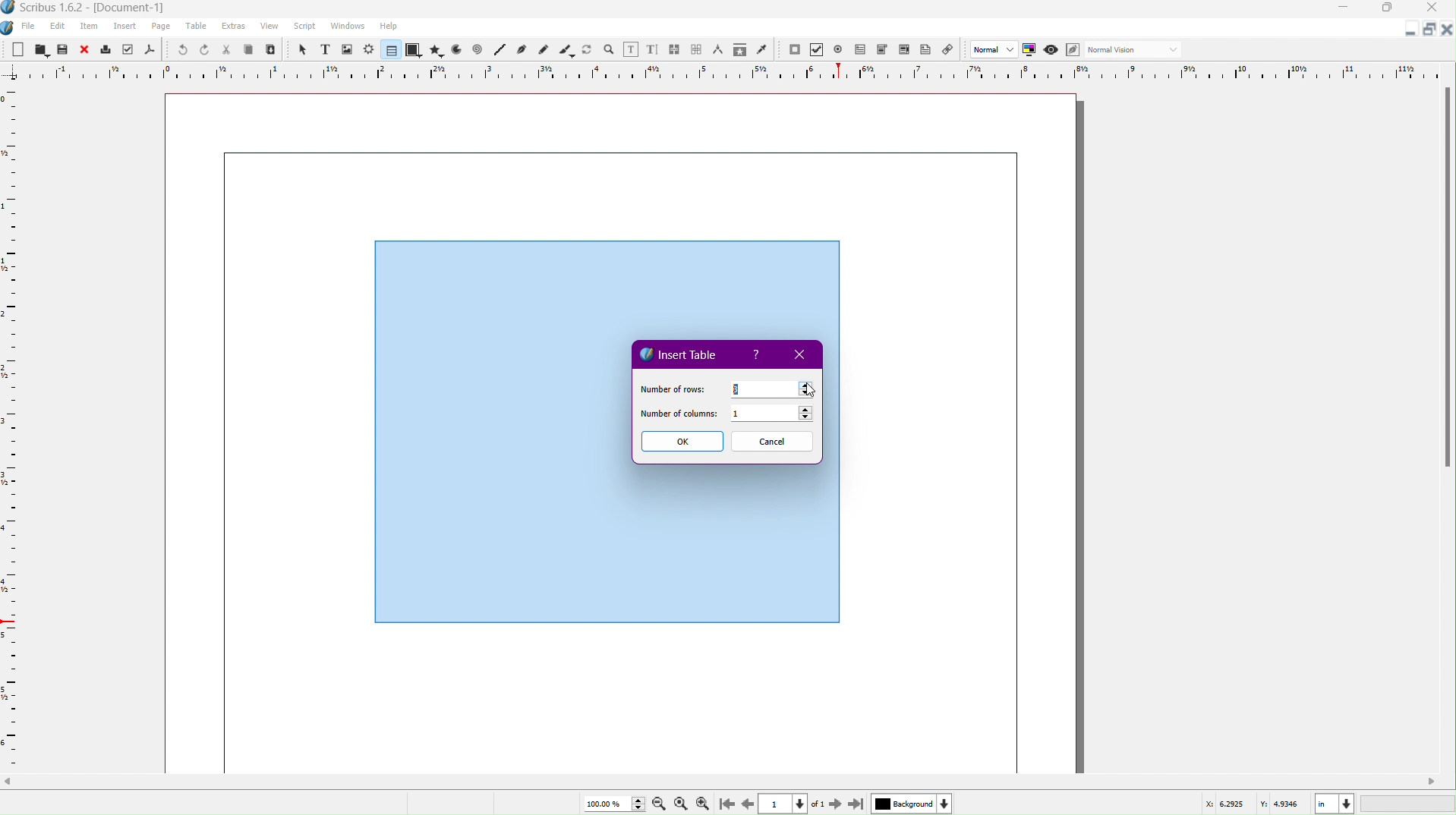 The image size is (1456, 815). I want to click on Extras, so click(235, 27).